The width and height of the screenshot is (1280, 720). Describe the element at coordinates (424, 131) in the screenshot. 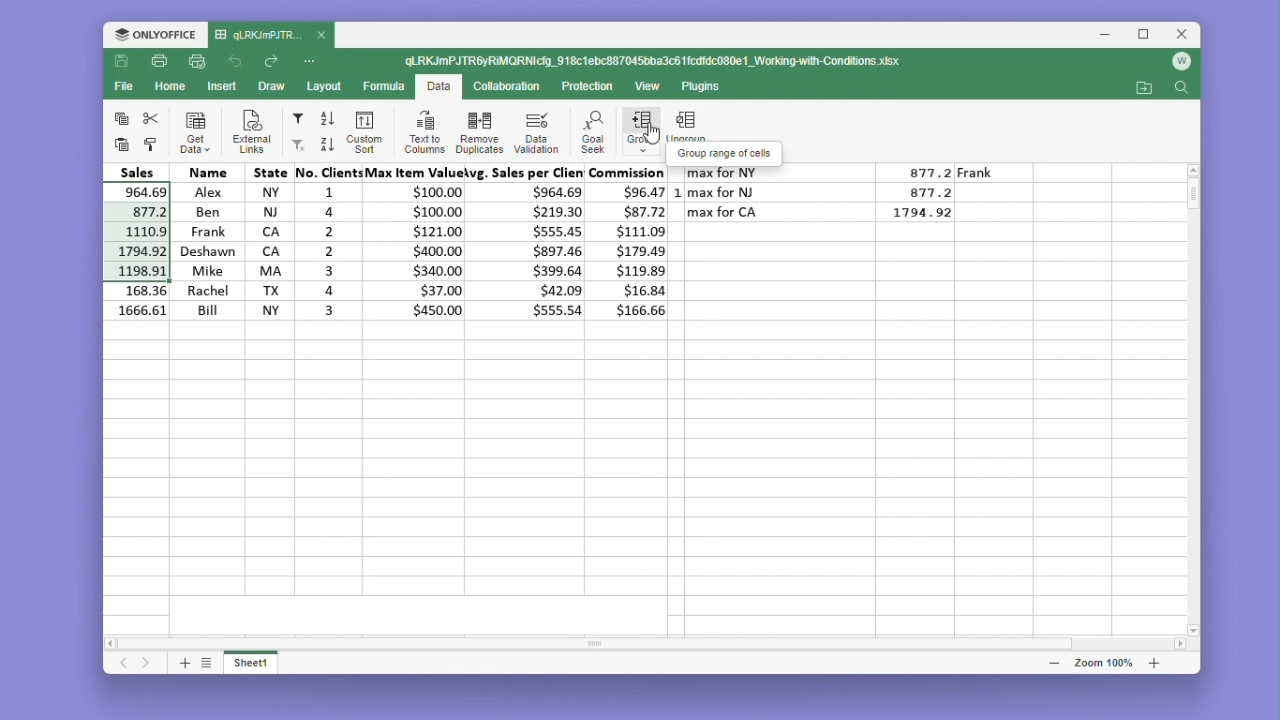

I see `Text to columns` at that location.